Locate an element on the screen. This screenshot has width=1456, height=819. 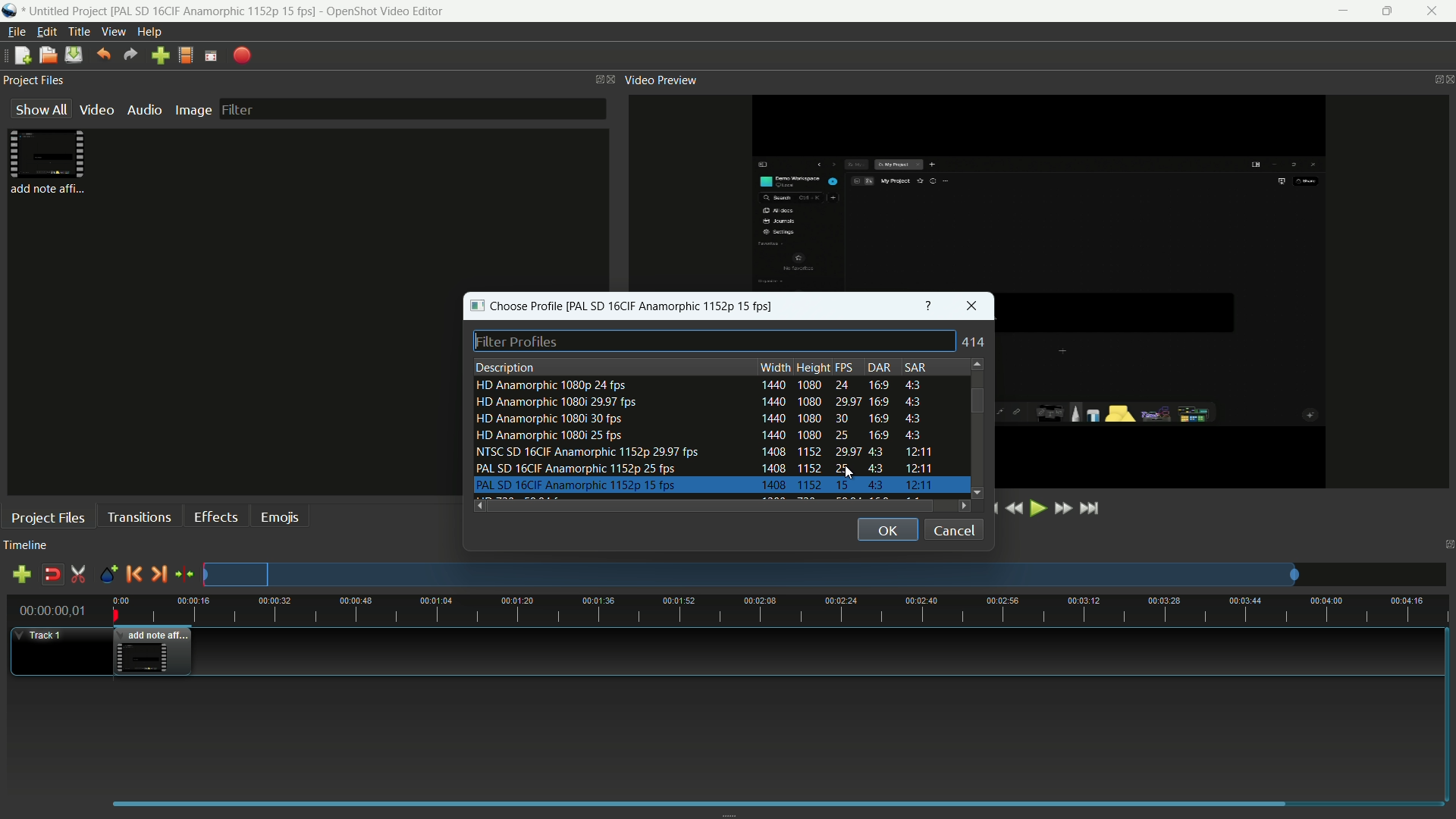
play or pause is located at coordinates (1037, 508).